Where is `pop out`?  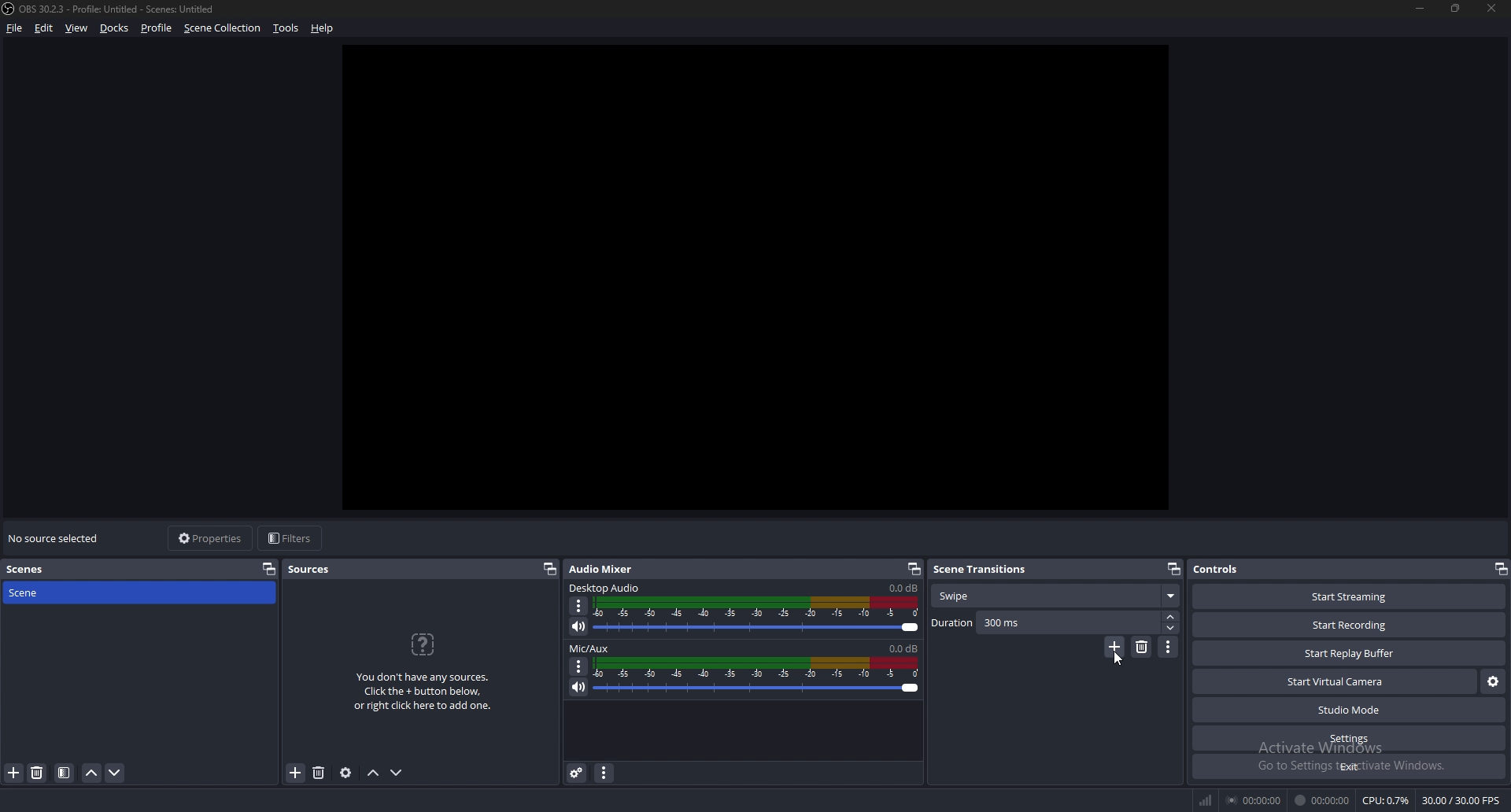
pop out is located at coordinates (269, 569).